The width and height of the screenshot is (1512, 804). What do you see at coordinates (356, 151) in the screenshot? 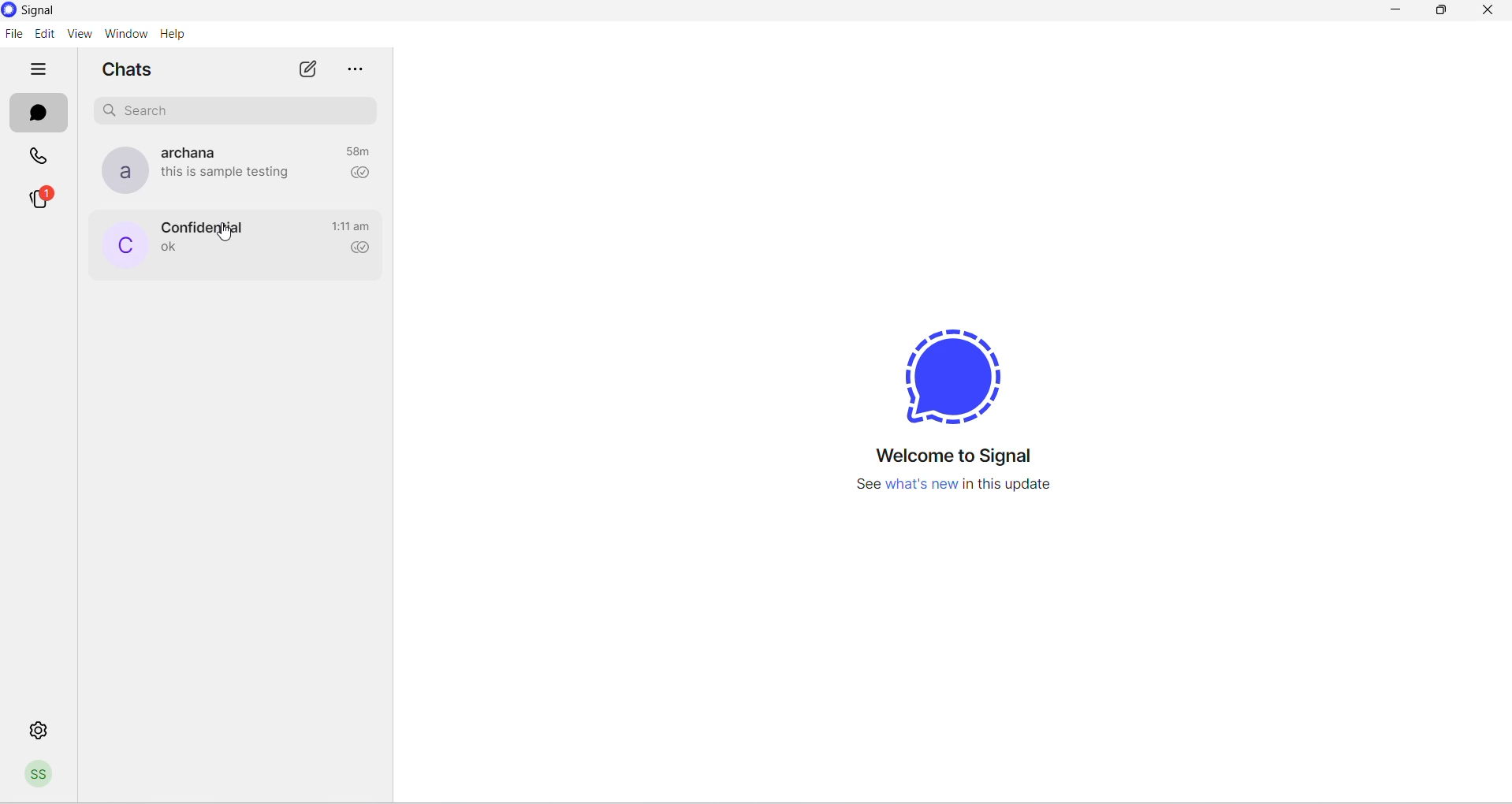
I see `last message time` at bounding box center [356, 151].